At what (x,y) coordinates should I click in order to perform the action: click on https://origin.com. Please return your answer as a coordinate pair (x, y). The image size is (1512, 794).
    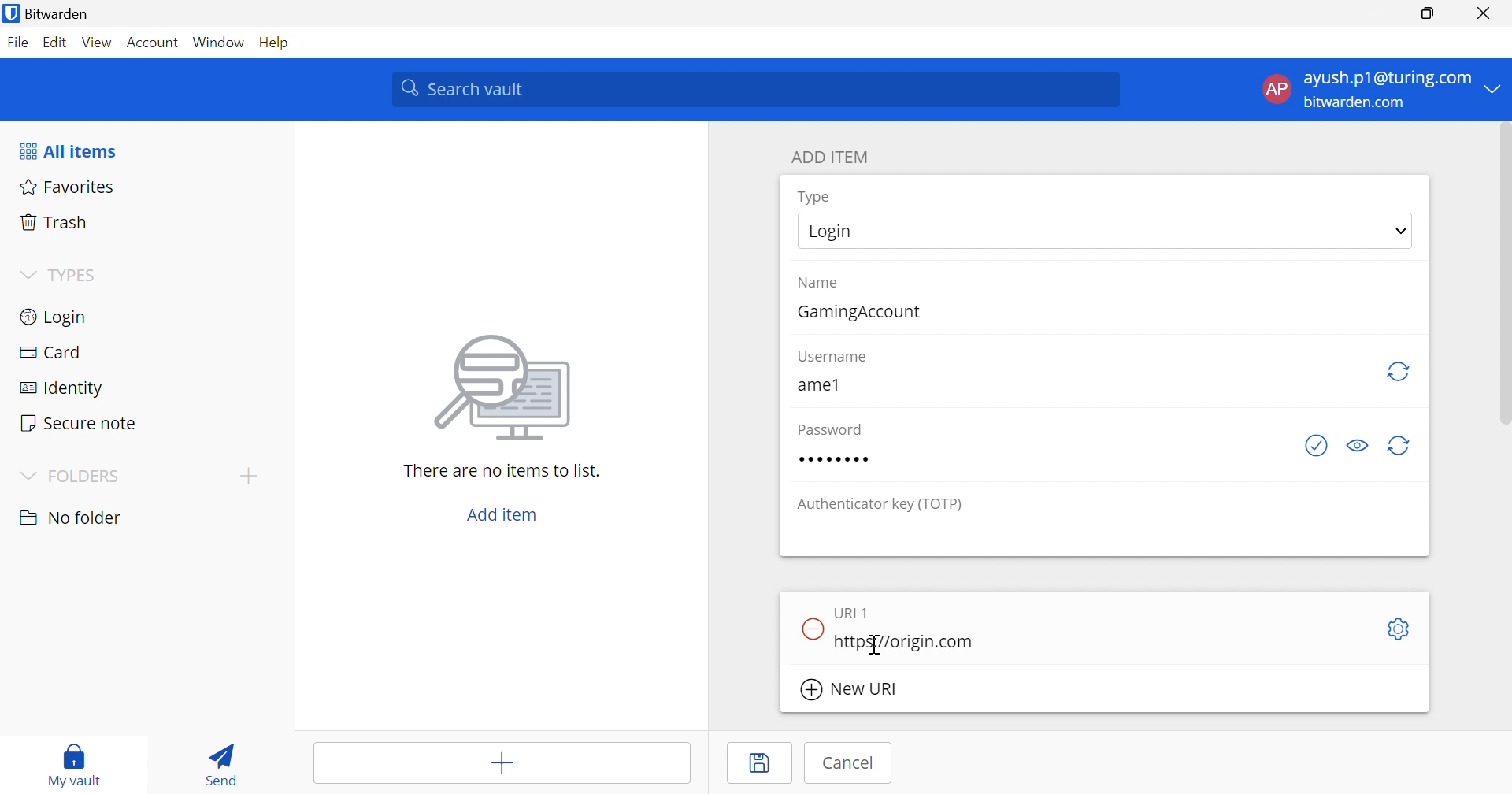
    Looking at the image, I should click on (908, 640).